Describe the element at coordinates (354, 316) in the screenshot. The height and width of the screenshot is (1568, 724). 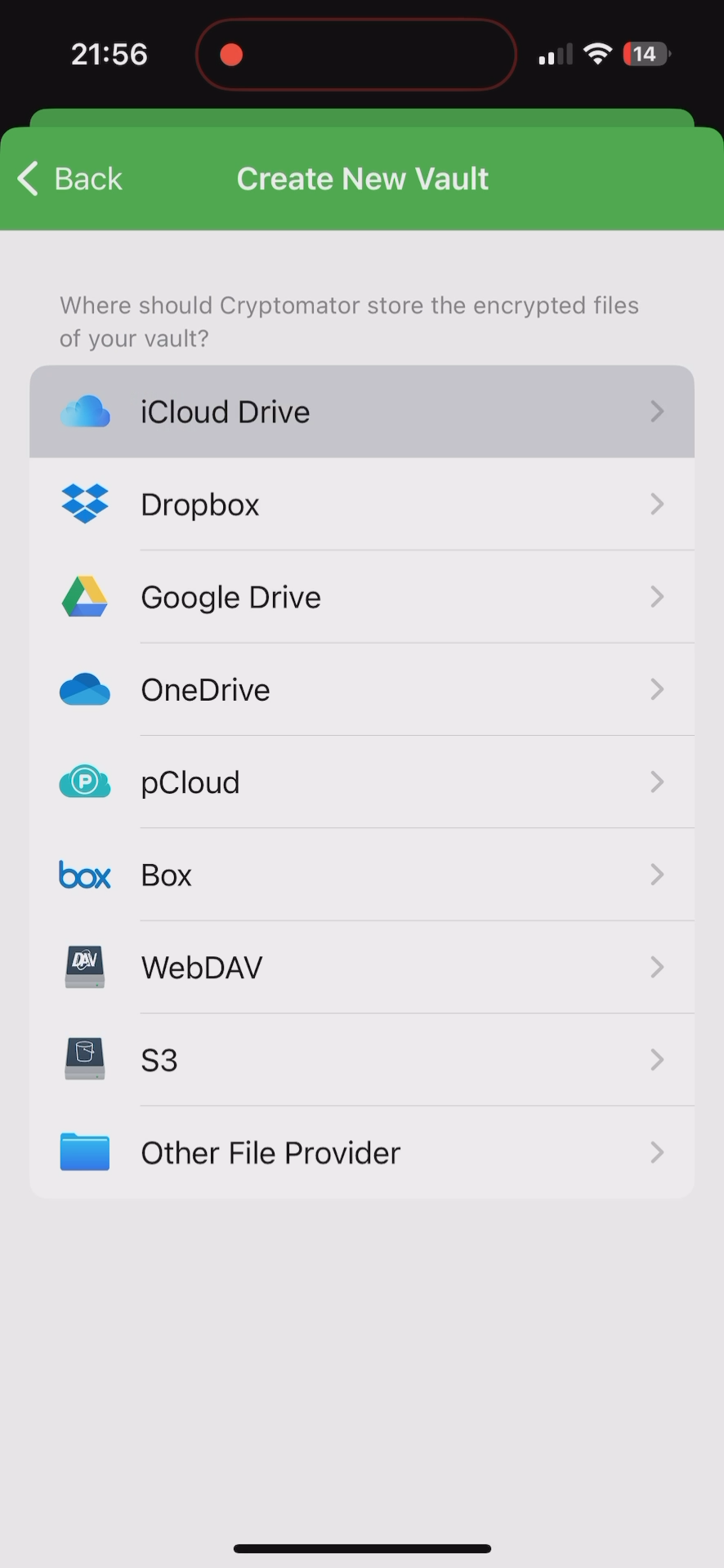
I see `Where should Cryptomator store the encrypted files of your vault?` at that location.